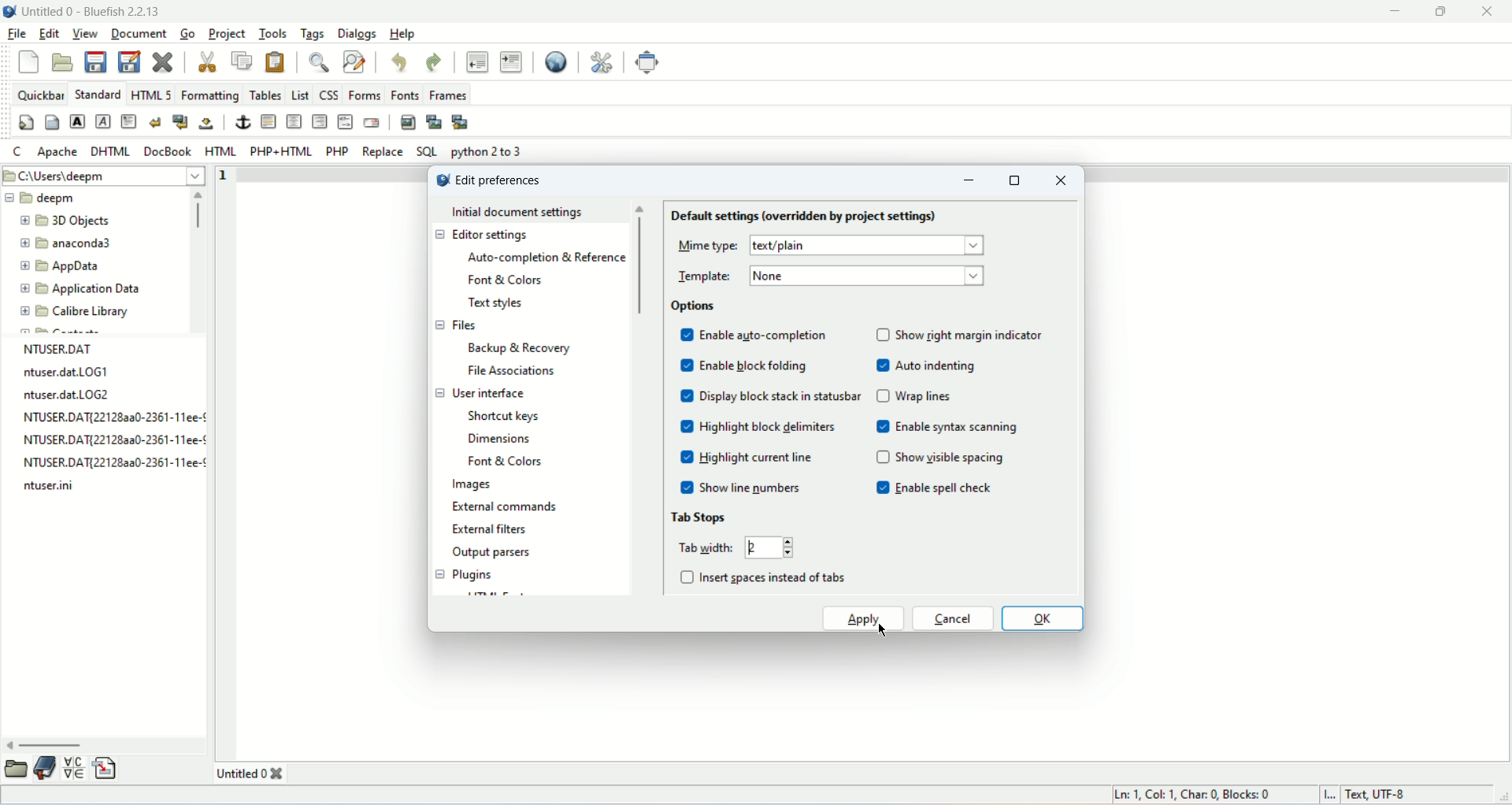 The height and width of the screenshot is (805, 1512). Describe the element at coordinates (687, 577) in the screenshot. I see `check box` at that location.